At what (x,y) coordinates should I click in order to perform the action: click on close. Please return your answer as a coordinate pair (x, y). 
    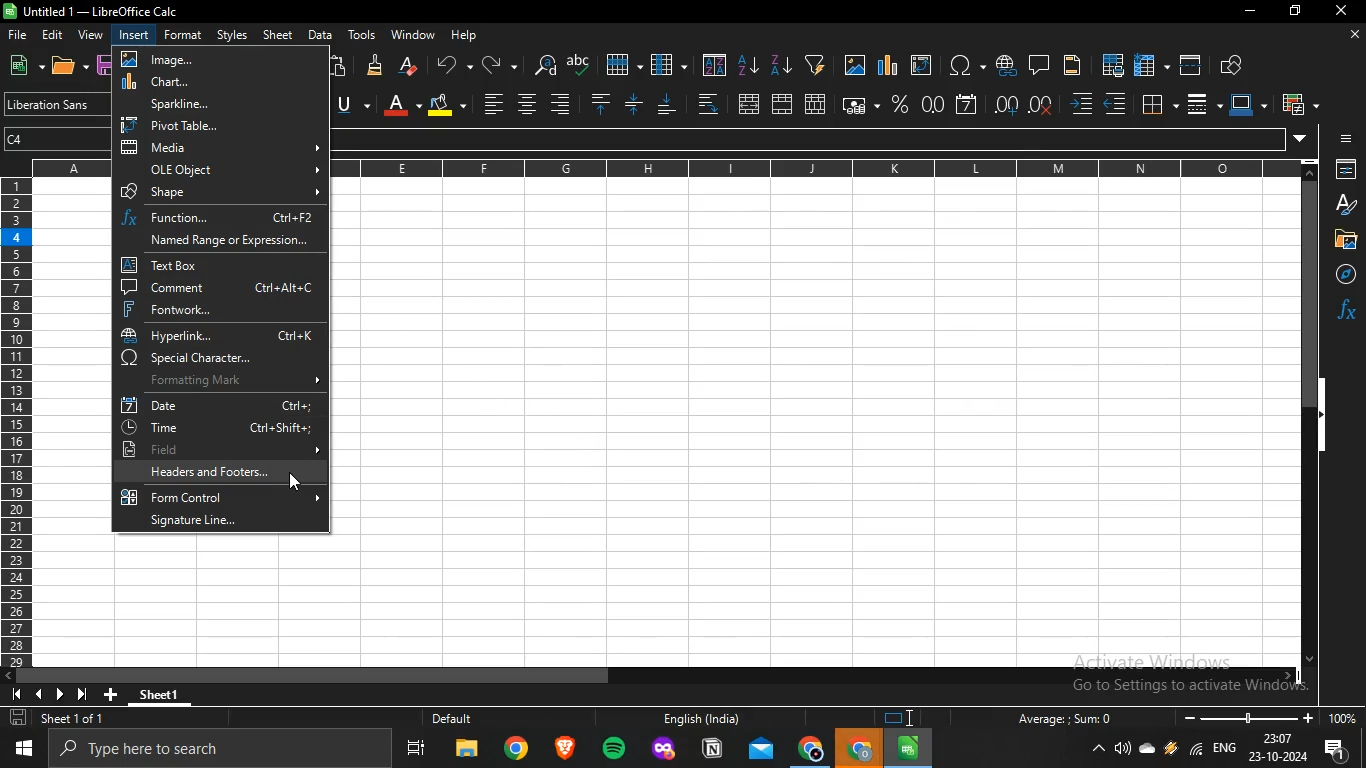
    Looking at the image, I should click on (1343, 13).